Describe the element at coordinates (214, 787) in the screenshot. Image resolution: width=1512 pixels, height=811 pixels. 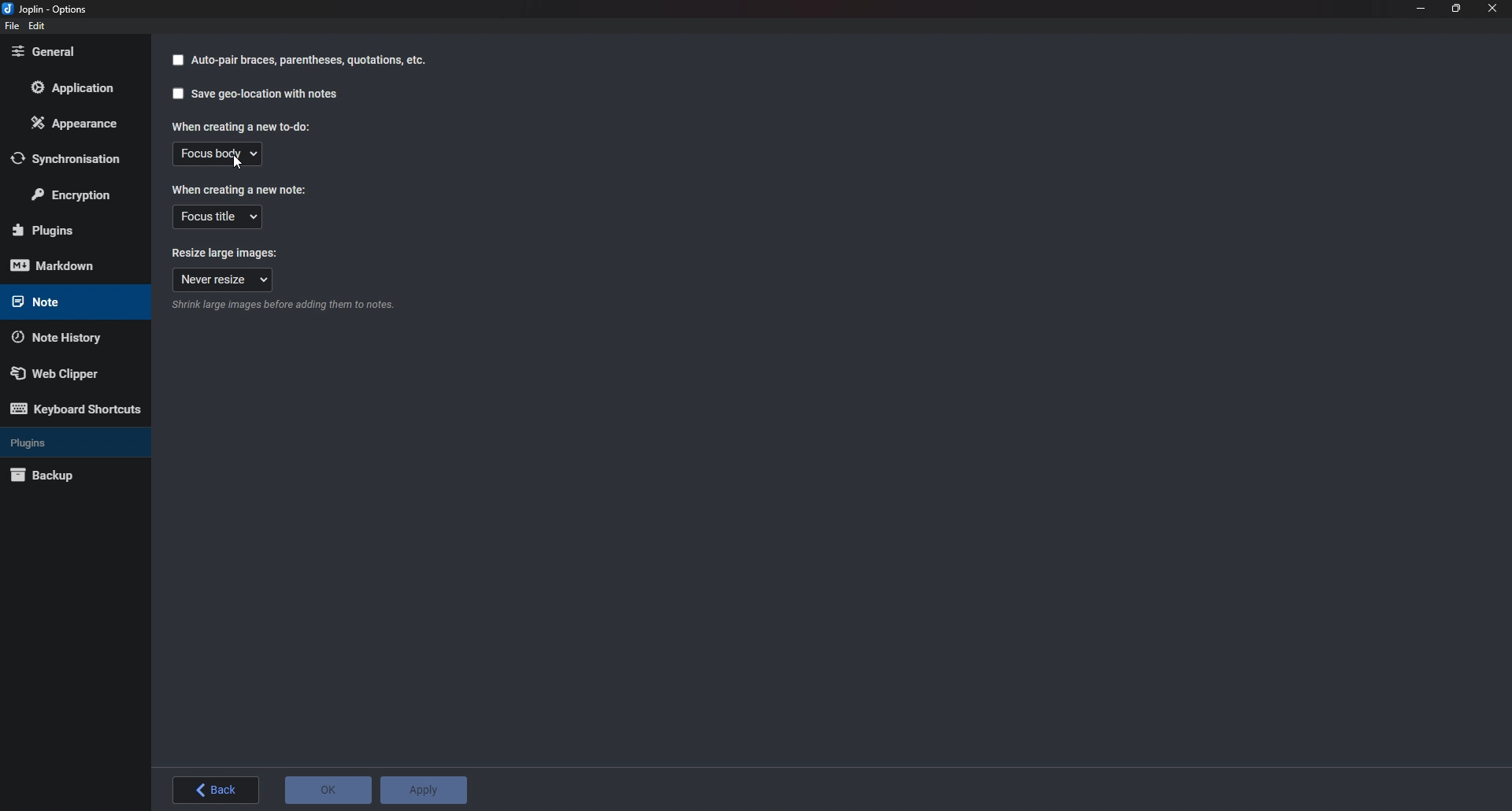
I see `back` at that location.